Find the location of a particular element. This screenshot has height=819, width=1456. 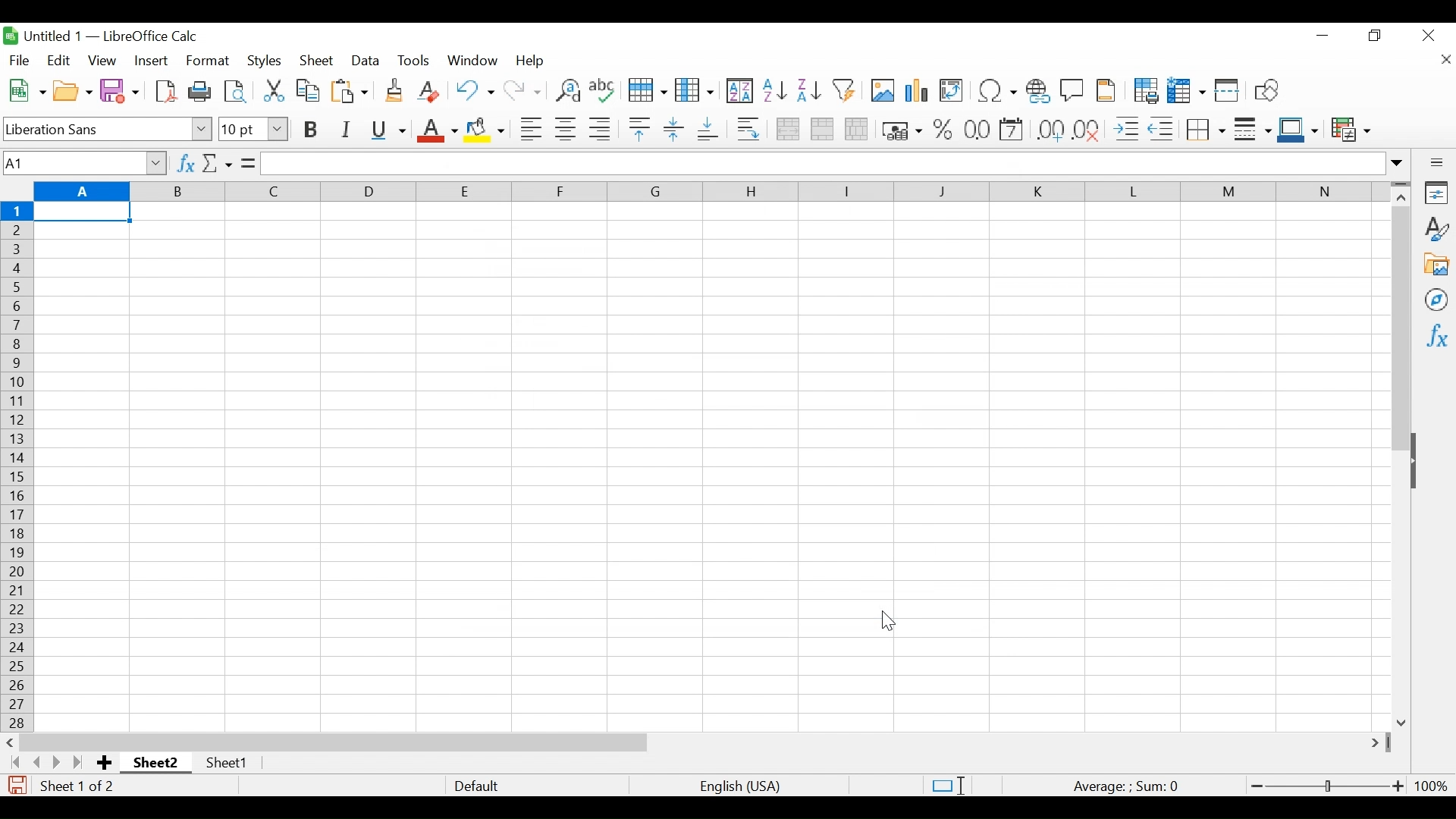

Border is located at coordinates (1205, 129).